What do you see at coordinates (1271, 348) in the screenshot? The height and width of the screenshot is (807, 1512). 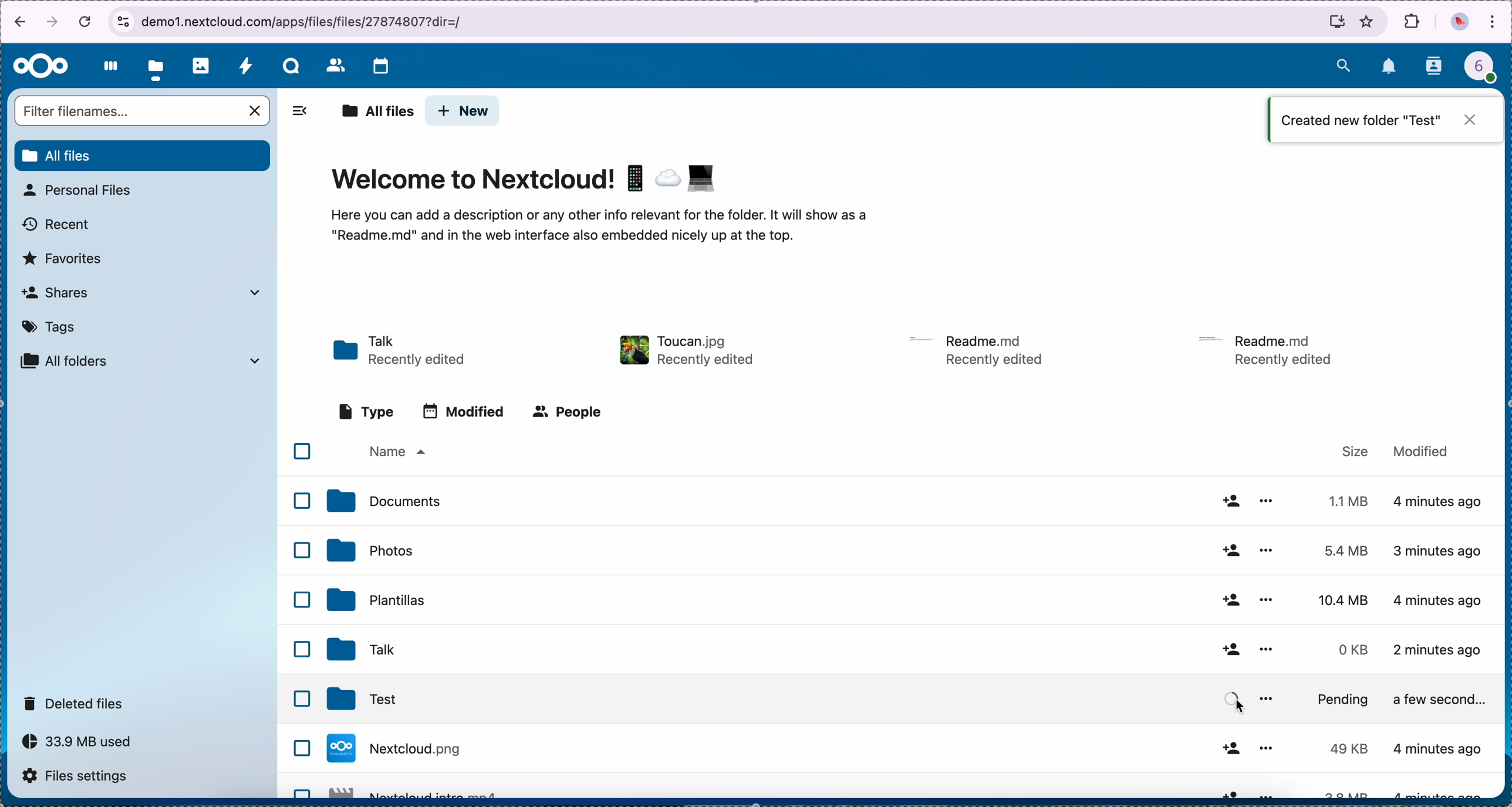 I see `readme file` at bounding box center [1271, 348].